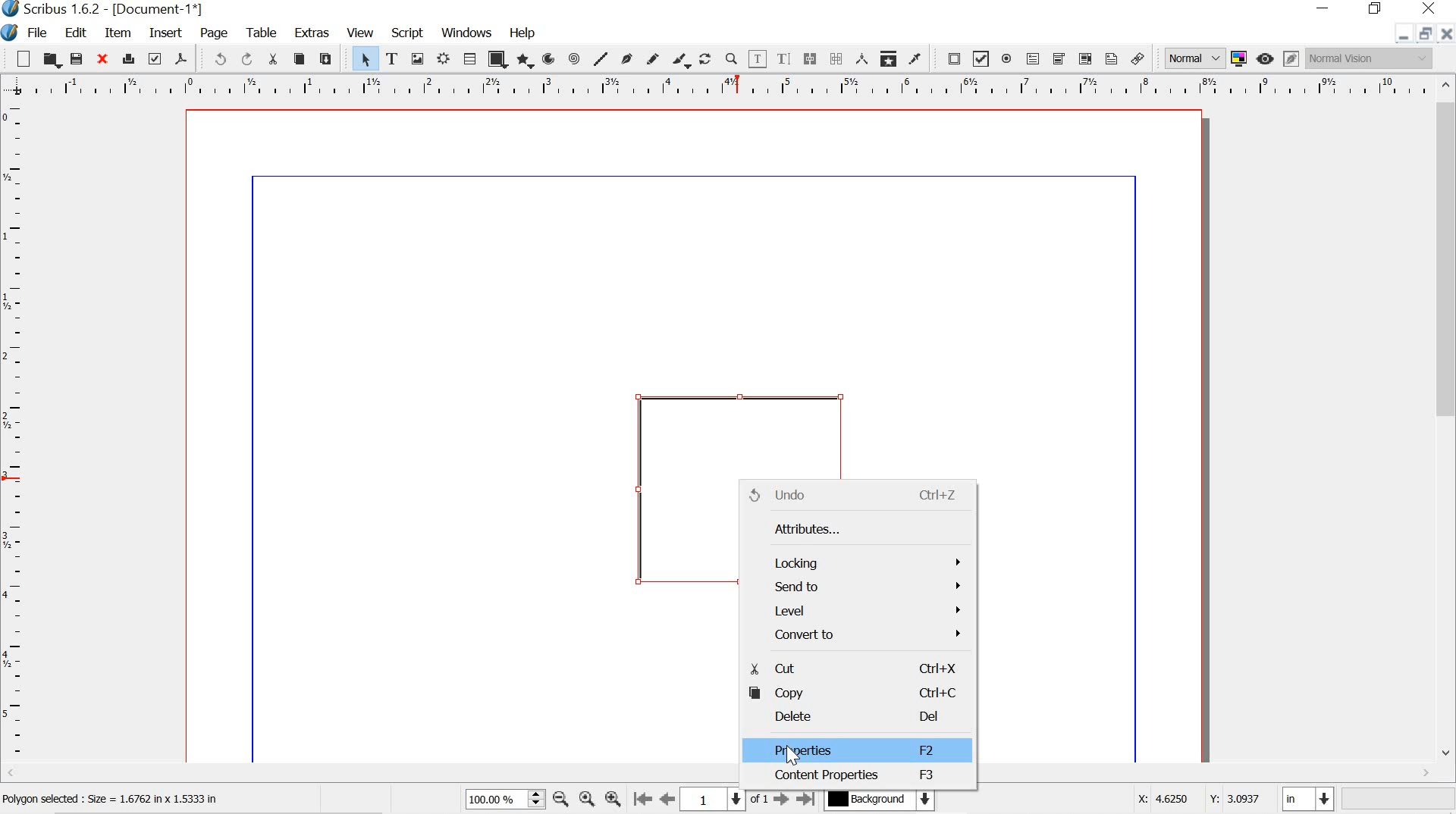 The image size is (1456, 814). What do you see at coordinates (1325, 7) in the screenshot?
I see `MINIMIZE` at bounding box center [1325, 7].